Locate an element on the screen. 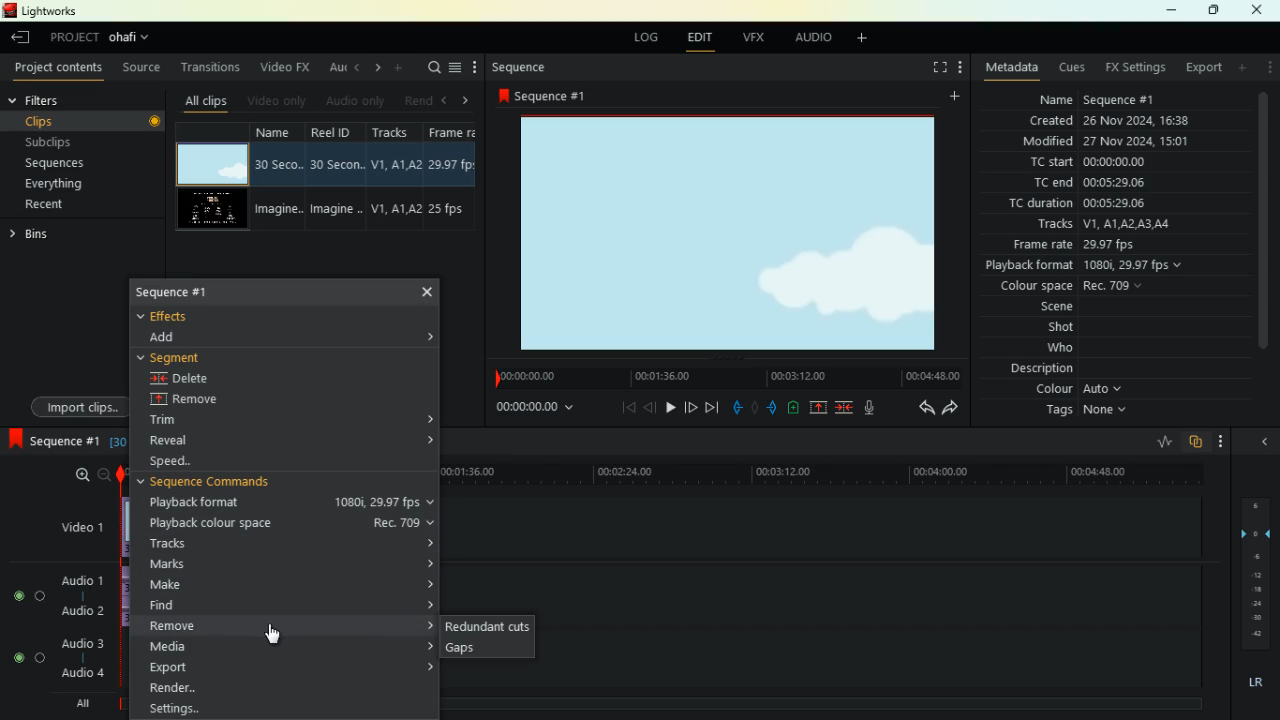  scene is located at coordinates (1062, 308).